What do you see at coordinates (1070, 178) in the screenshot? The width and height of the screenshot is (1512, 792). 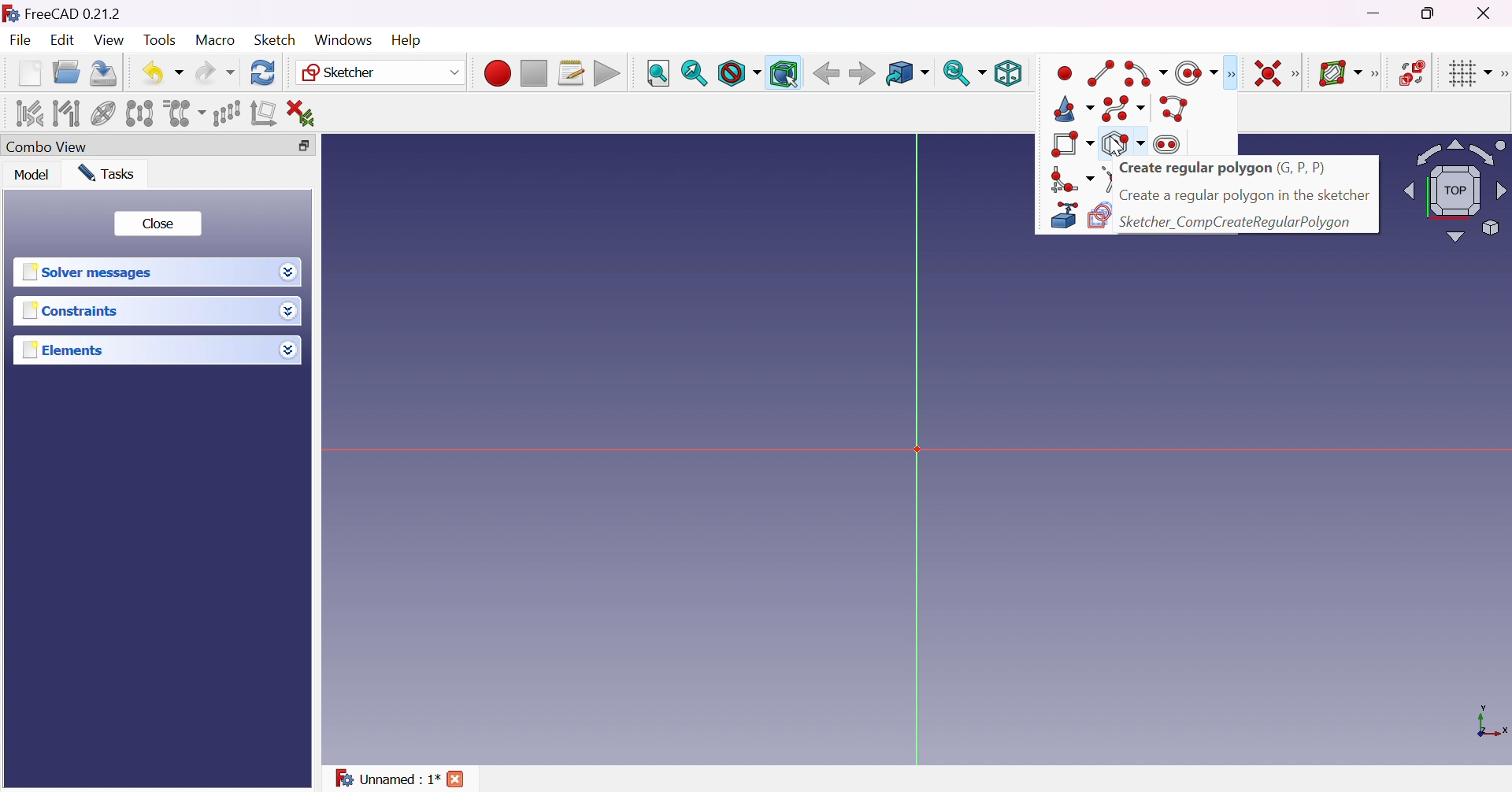 I see `Create fillet` at bounding box center [1070, 178].